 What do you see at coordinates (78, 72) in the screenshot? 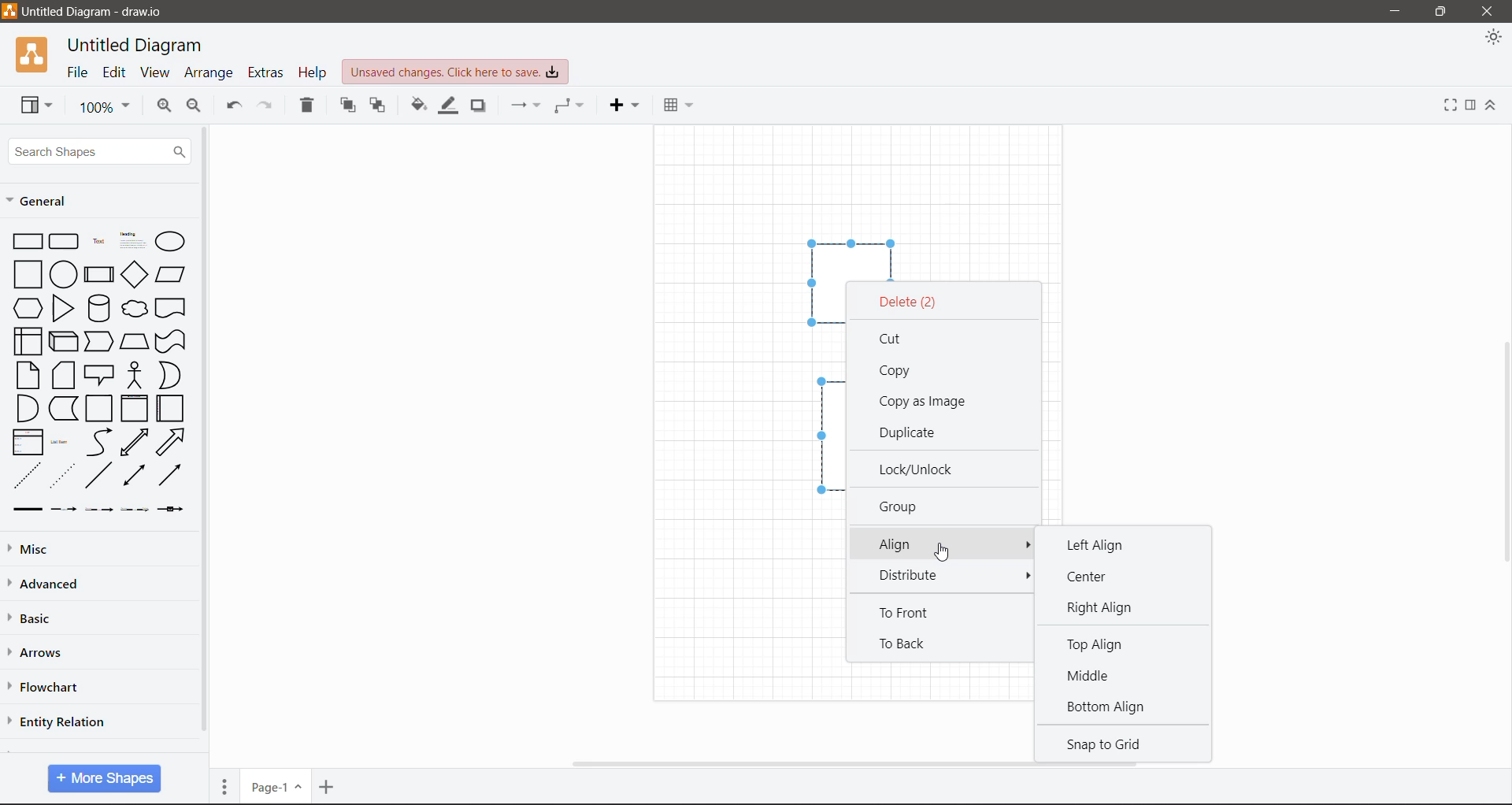
I see `File` at bounding box center [78, 72].